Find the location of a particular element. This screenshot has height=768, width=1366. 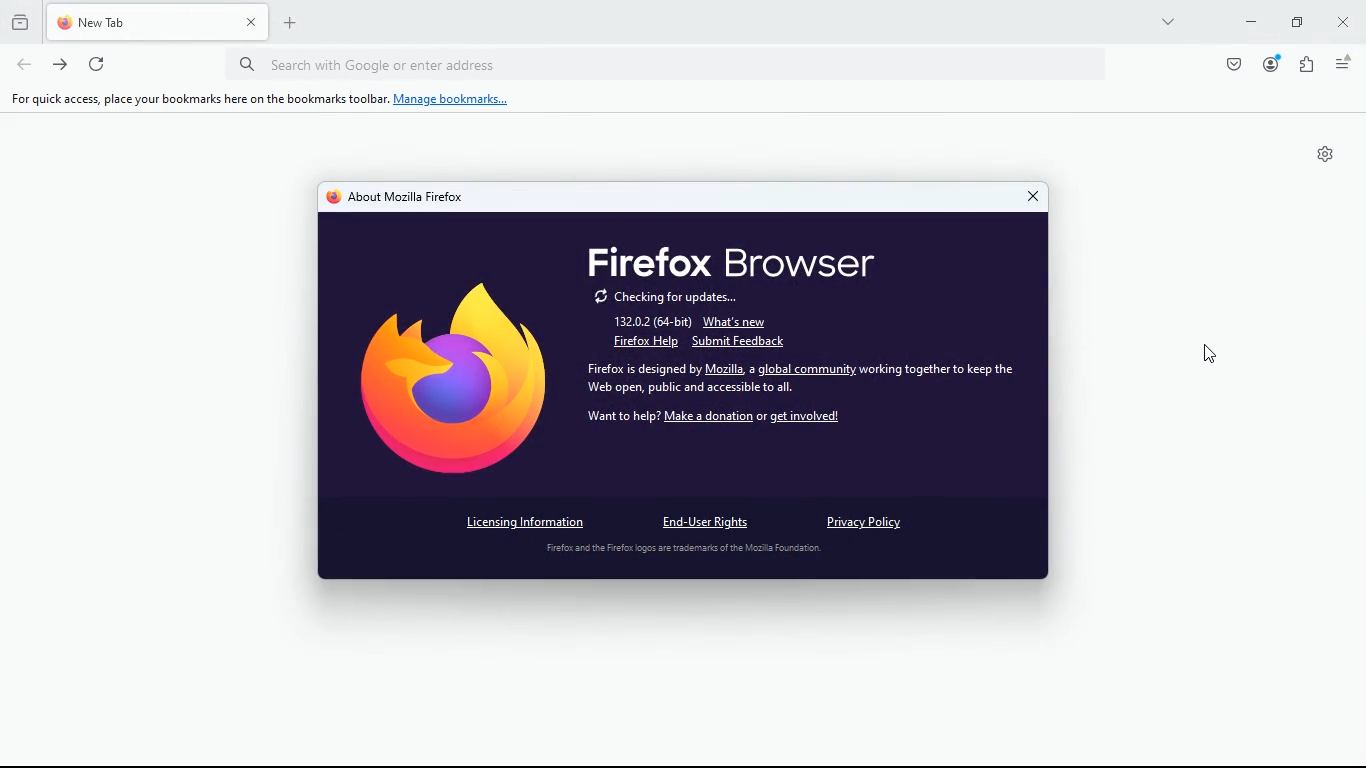

Search bar is located at coordinates (670, 65).